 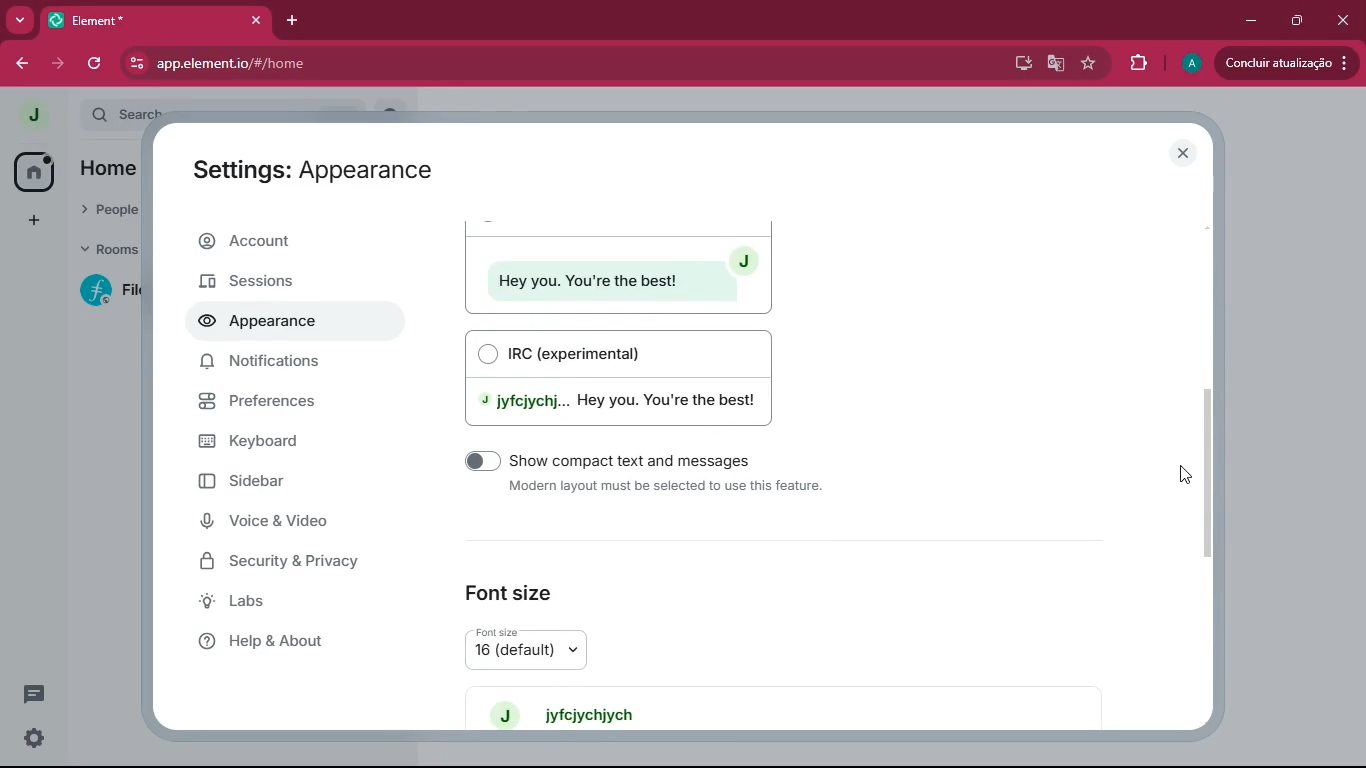 What do you see at coordinates (1286, 63) in the screenshot?
I see `update` at bounding box center [1286, 63].